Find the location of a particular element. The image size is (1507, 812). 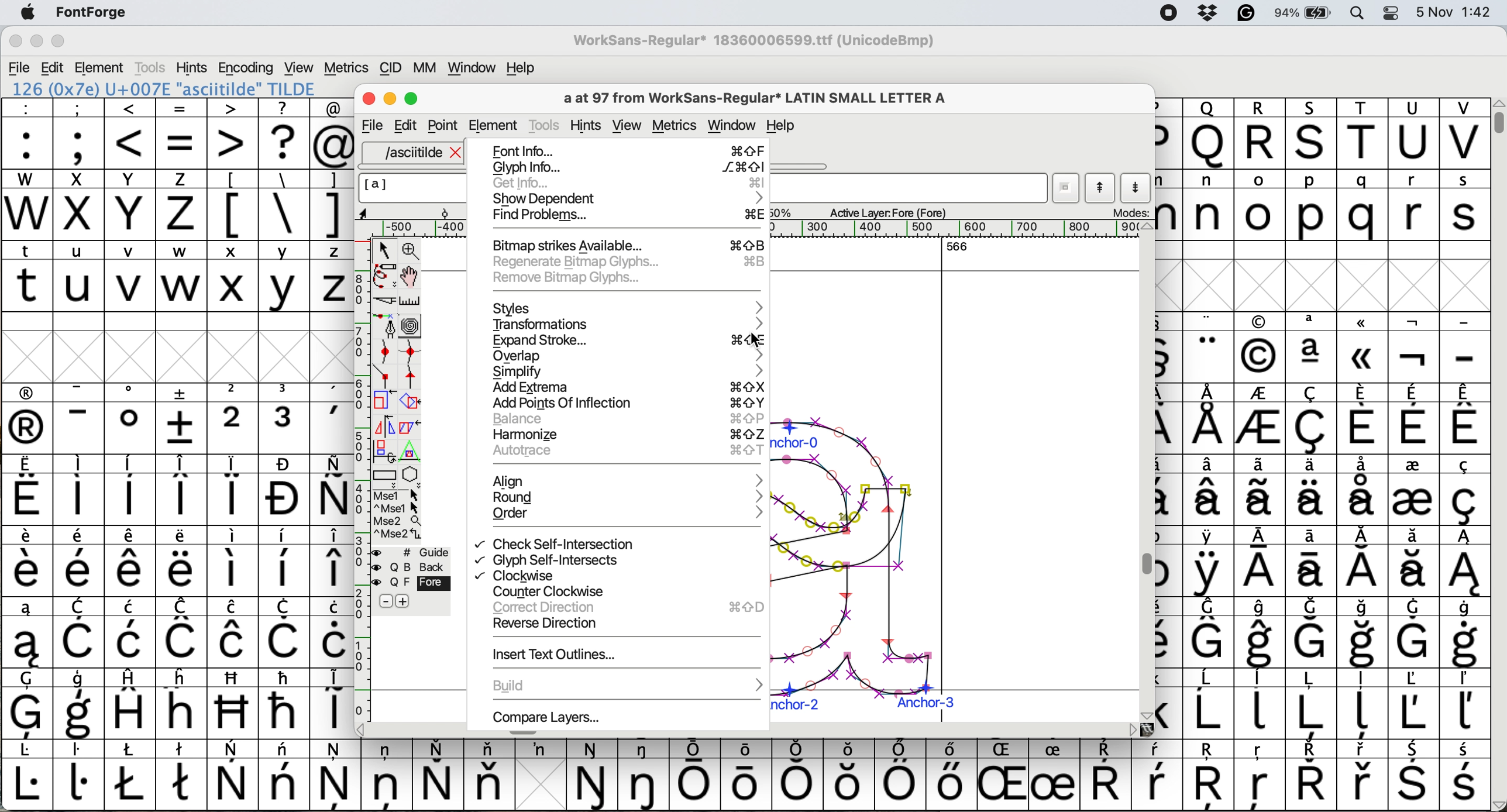

dropbox is located at coordinates (1204, 13).